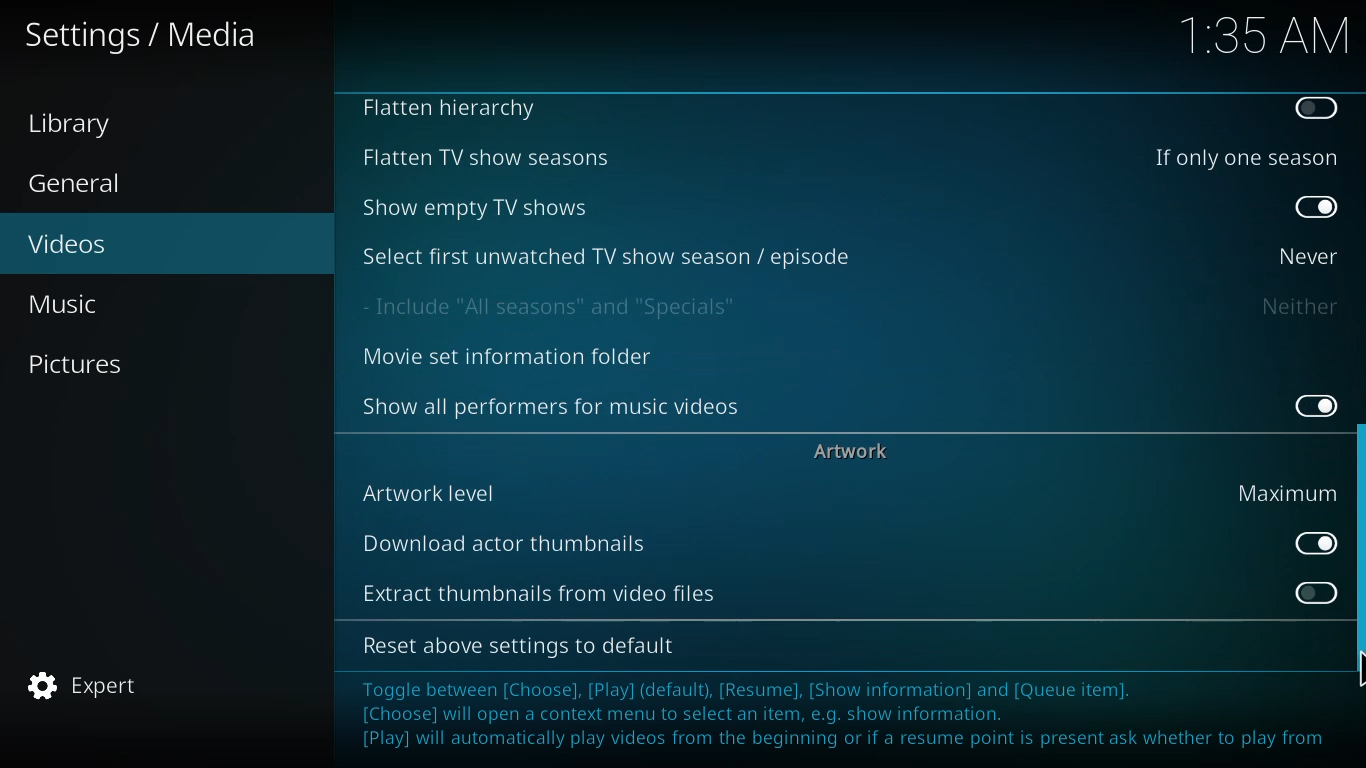 The image size is (1366, 768). I want to click on flatten hierarchy, so click(455, 110).